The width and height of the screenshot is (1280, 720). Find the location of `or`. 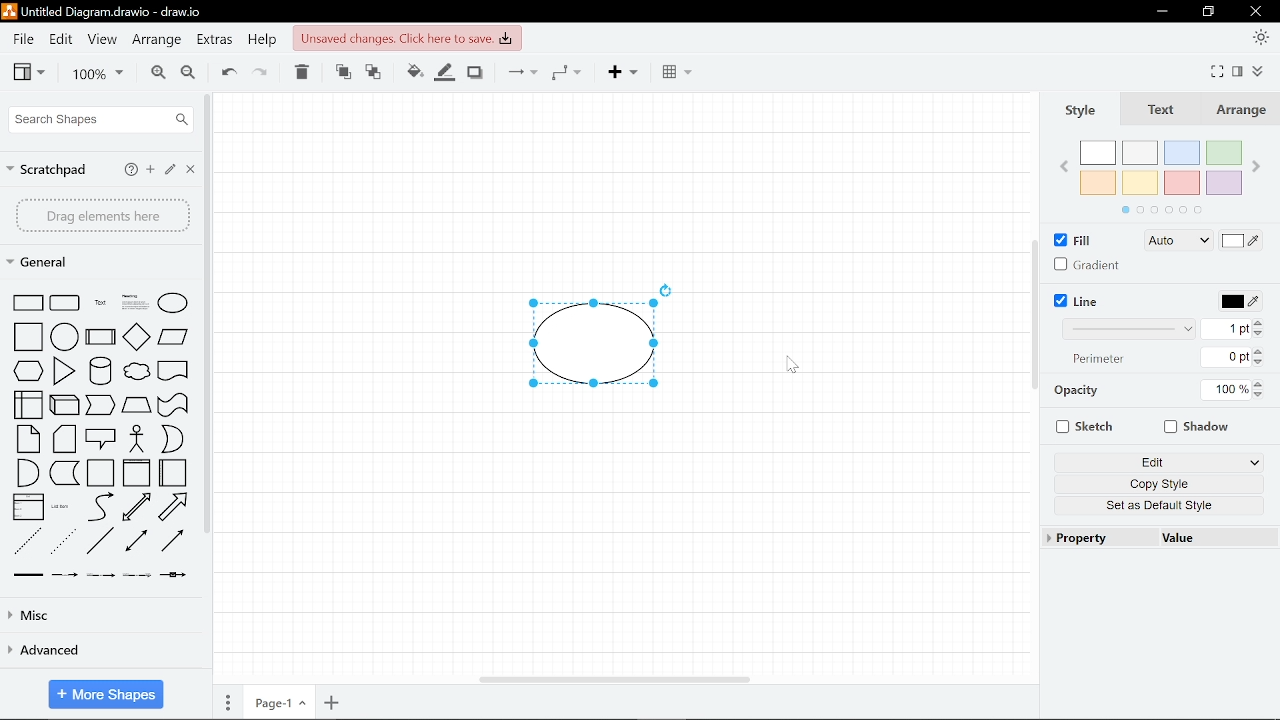

or is located at coordinates (172, 438).